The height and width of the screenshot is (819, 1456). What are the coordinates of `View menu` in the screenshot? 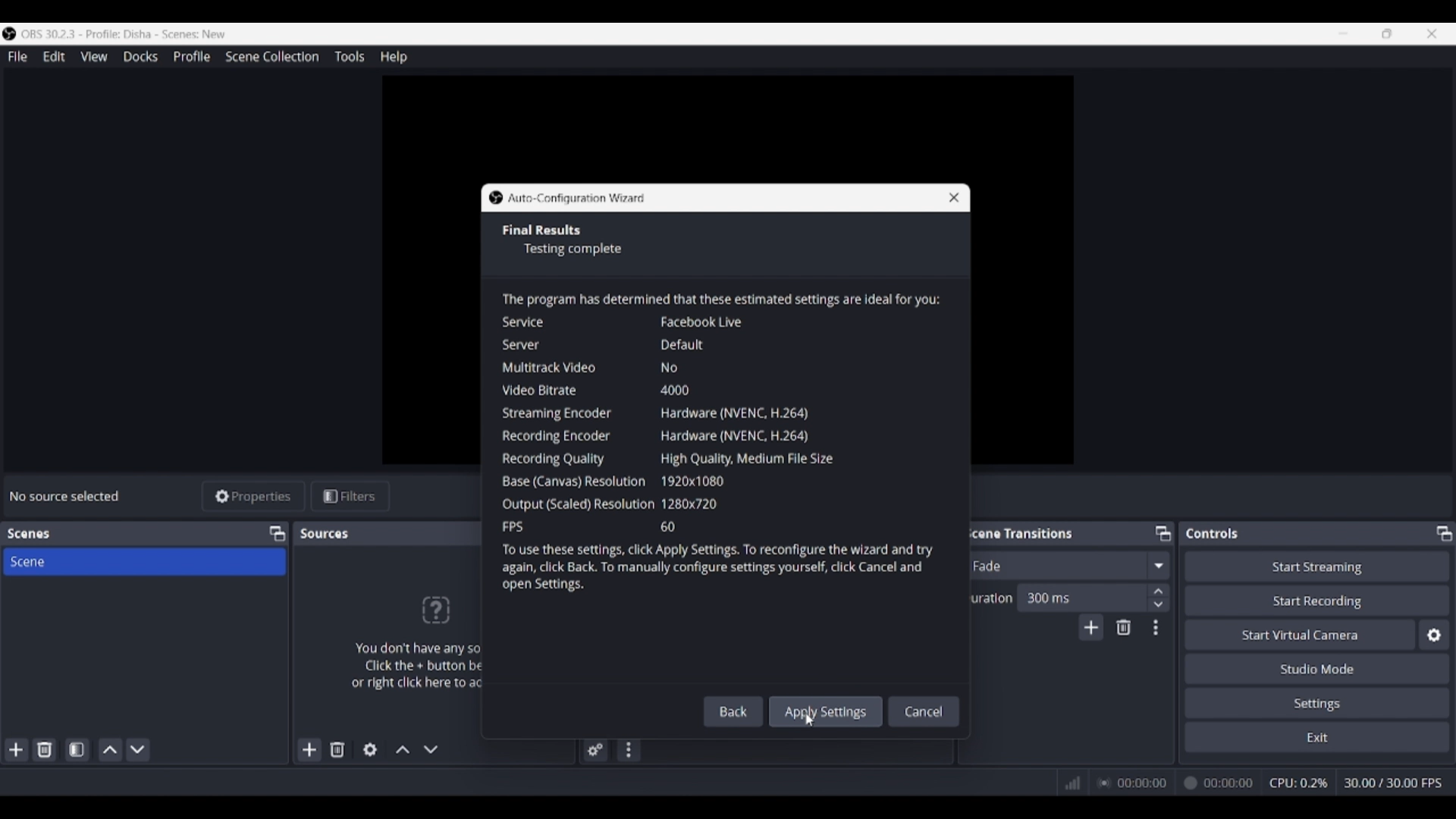 It's located at (94, 56).